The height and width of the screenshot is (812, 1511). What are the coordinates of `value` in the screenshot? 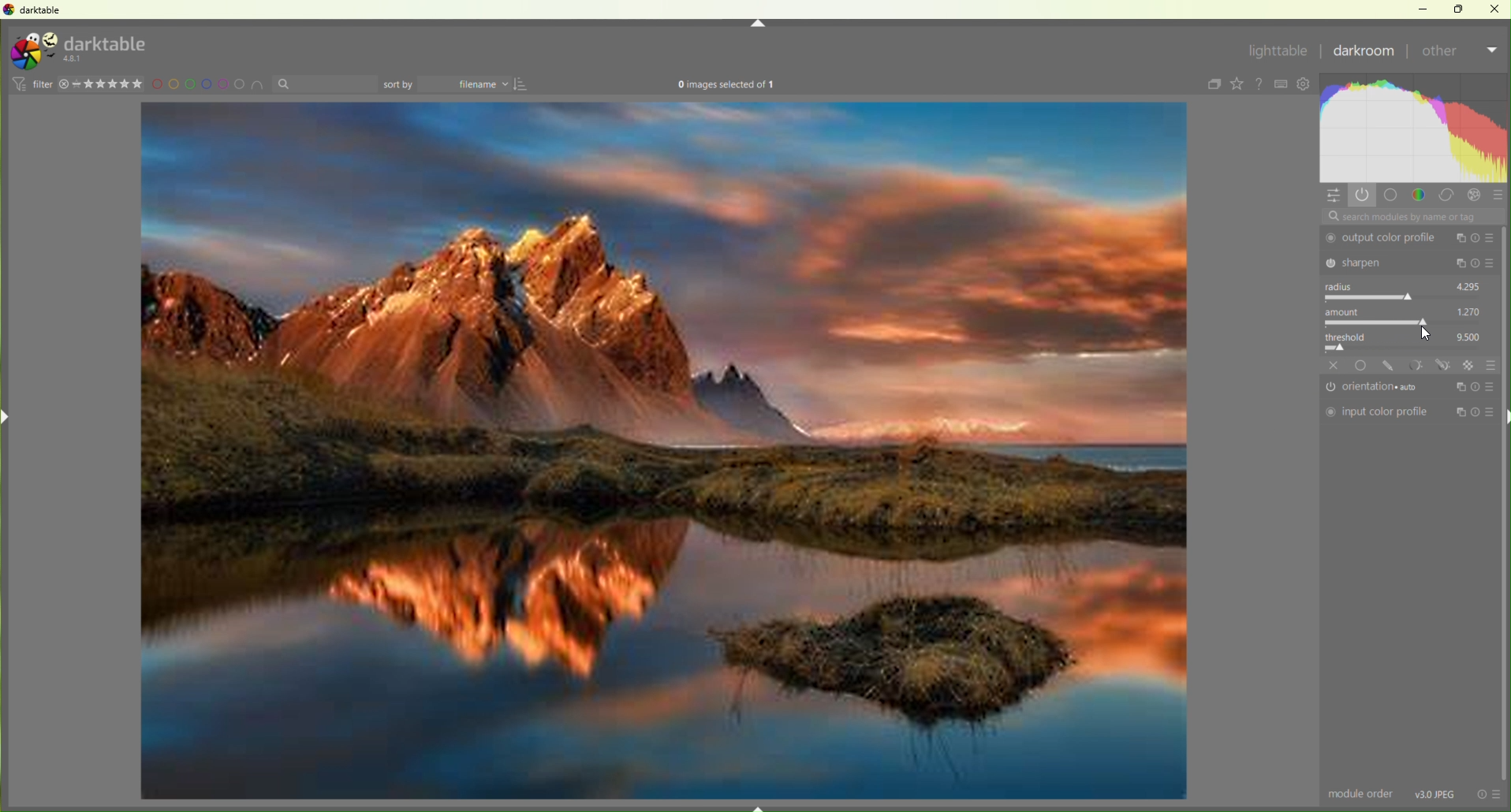 It's located at (1469, 285).